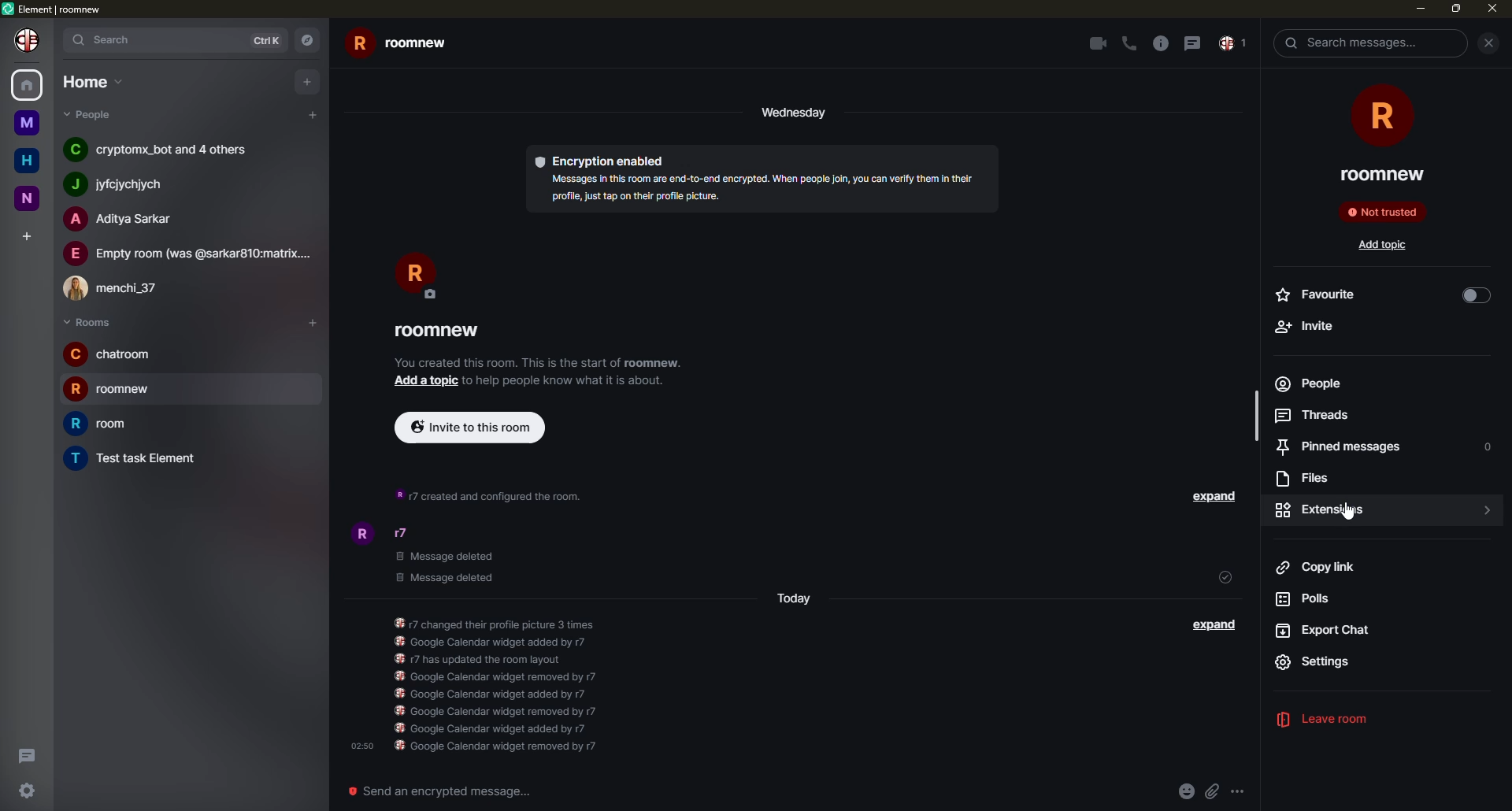 Image resolution: width=1512 pixels, height=811 pixels. I want to click on settings, so click(1327, 663).